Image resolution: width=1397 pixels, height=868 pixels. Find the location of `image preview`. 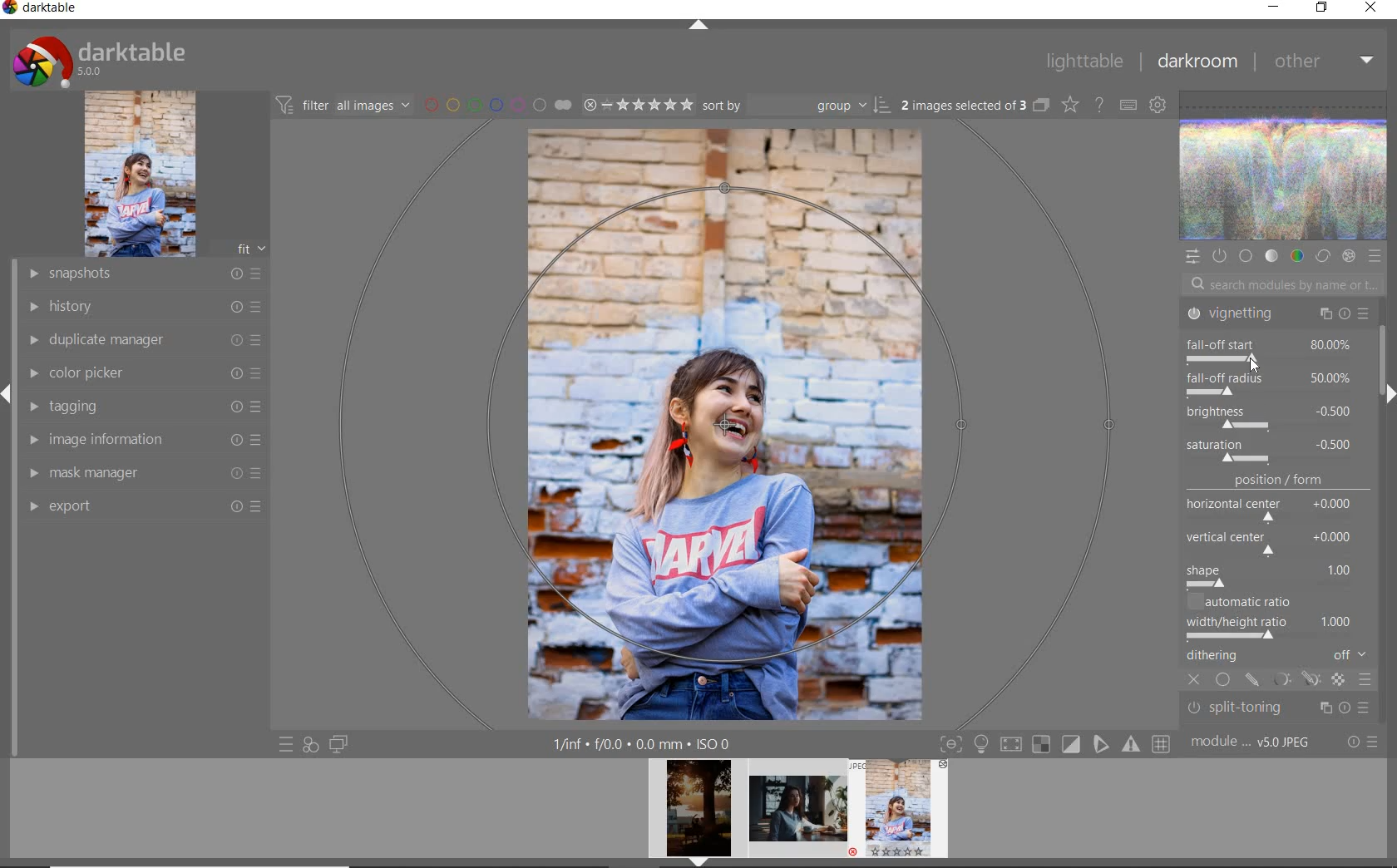

image preview is located at coordinates (798, 813).